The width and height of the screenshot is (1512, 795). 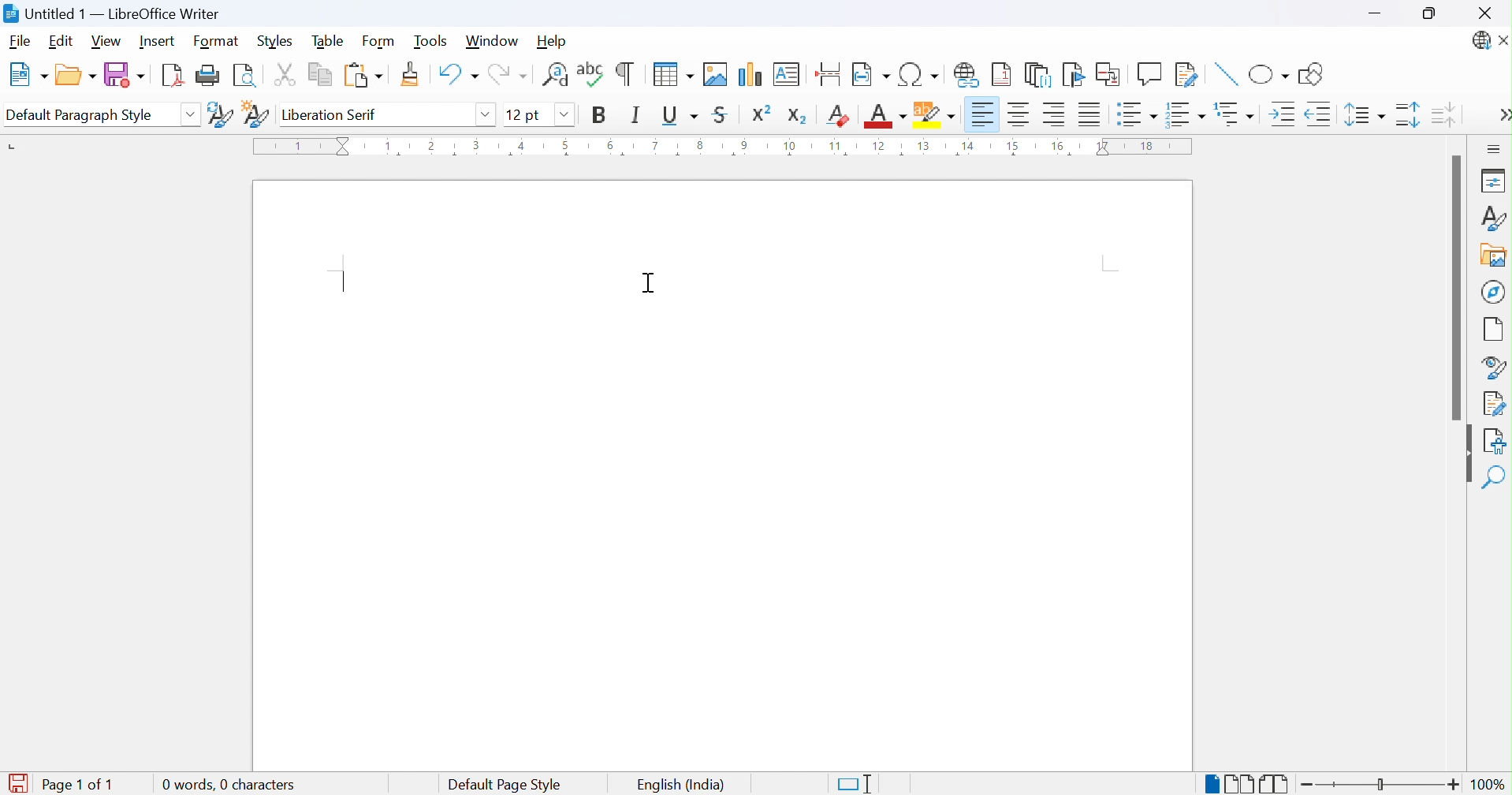 I want to click on Subscript, so click(x=799, y=118).